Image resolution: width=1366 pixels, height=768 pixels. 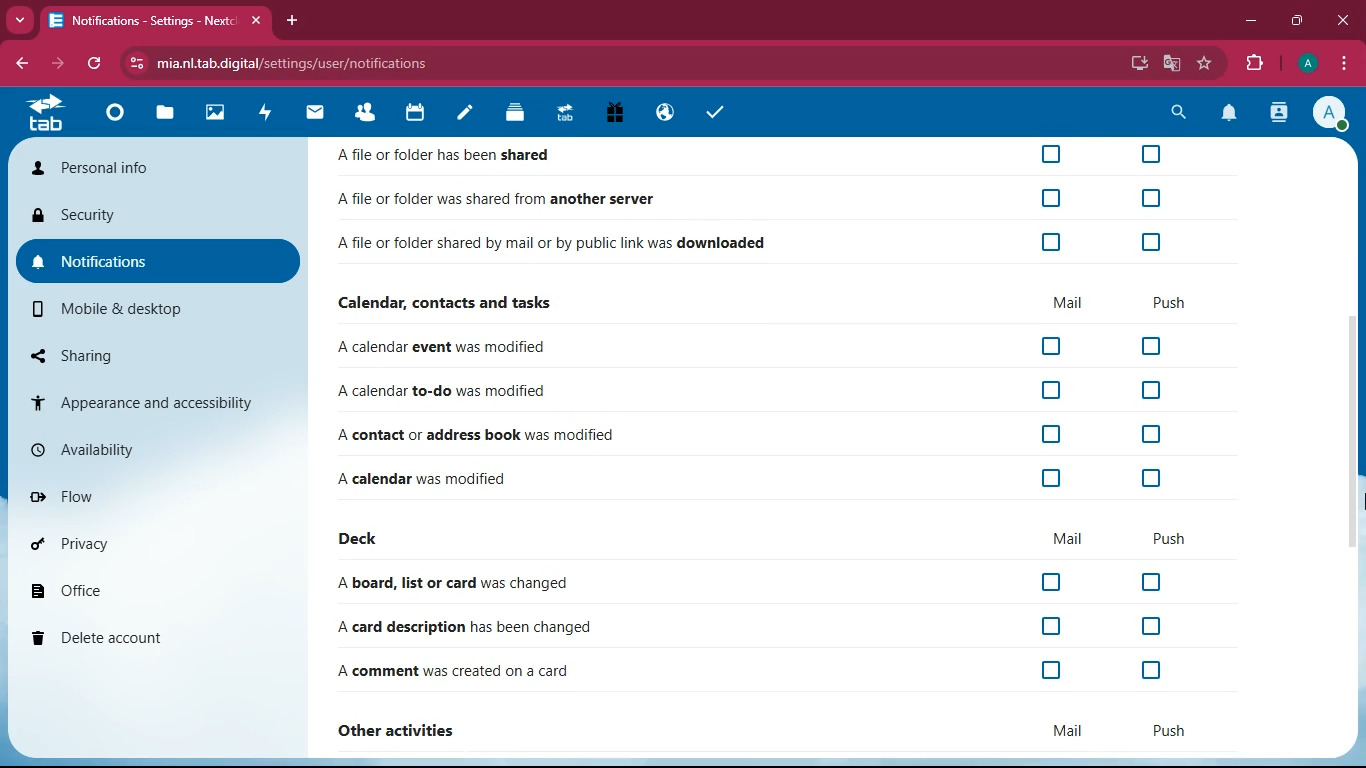 What do you see at coordinates (1070, 302) in the screenshot?
I see `mail` at bounding box center [1070, 302].